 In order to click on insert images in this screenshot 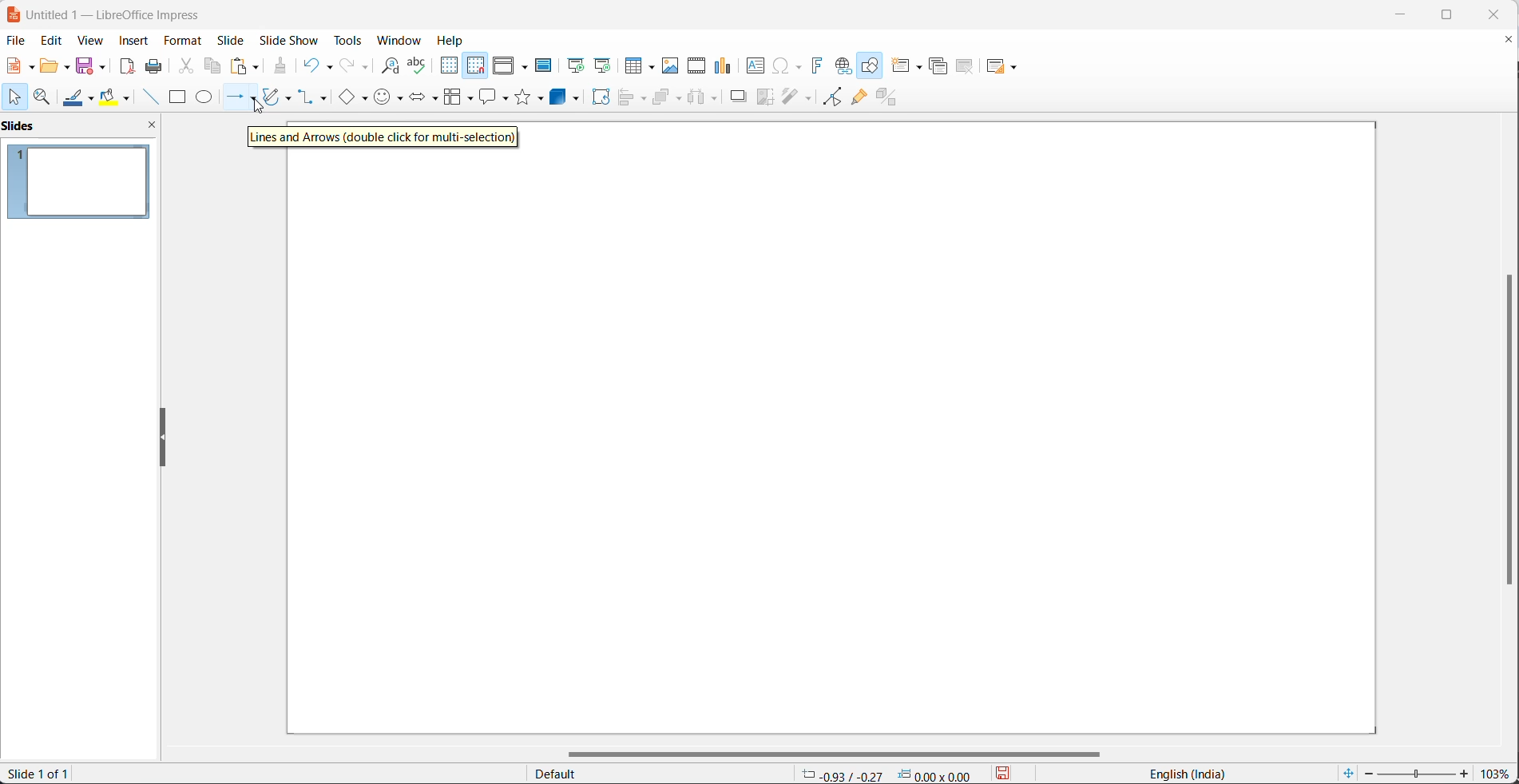, I will do `click(672, 66)`.